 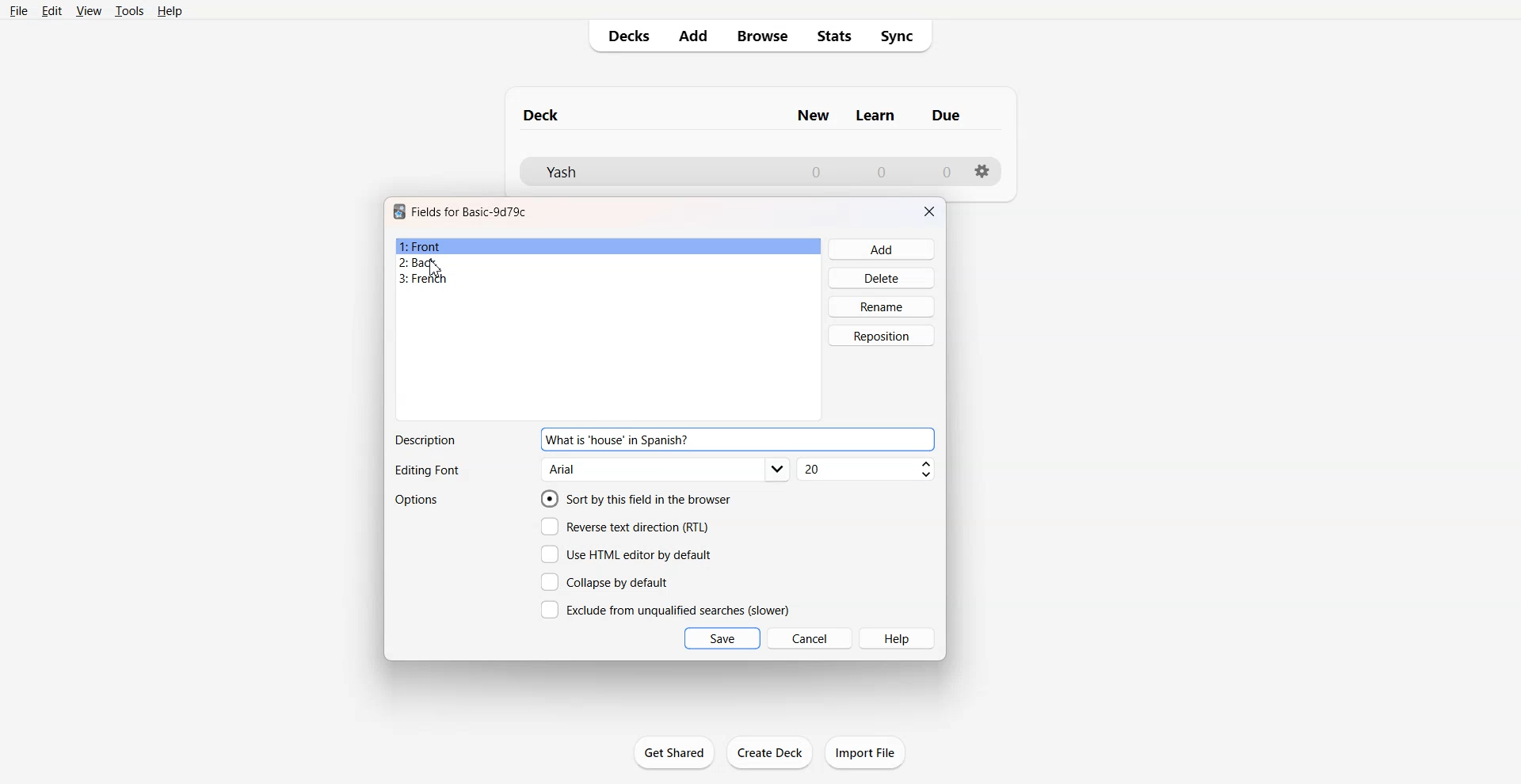 I want to click on Enter Description, so click(x=816, y=440).